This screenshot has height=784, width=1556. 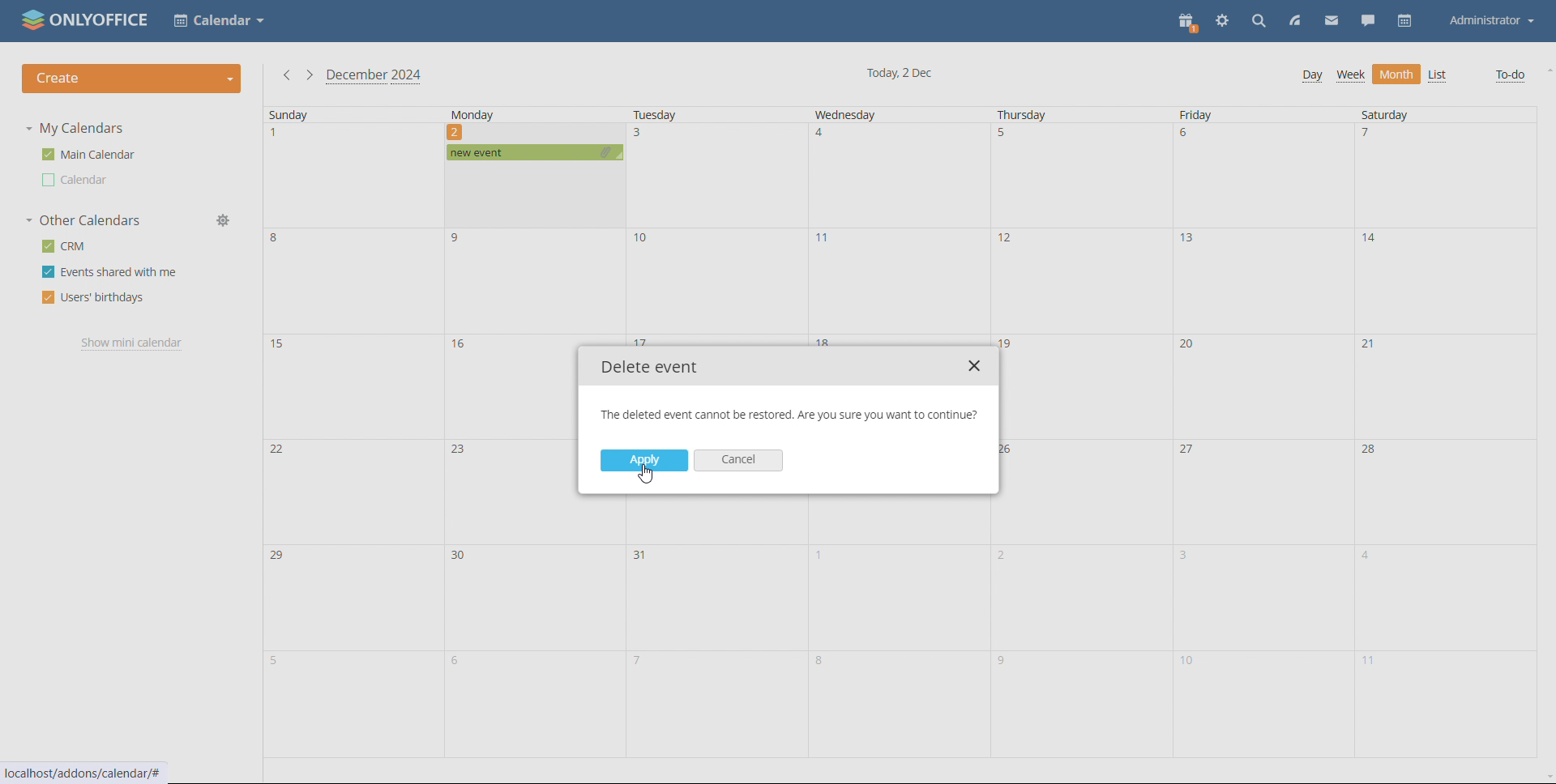 I want to click on Sunday, so click(x=288, y=115).